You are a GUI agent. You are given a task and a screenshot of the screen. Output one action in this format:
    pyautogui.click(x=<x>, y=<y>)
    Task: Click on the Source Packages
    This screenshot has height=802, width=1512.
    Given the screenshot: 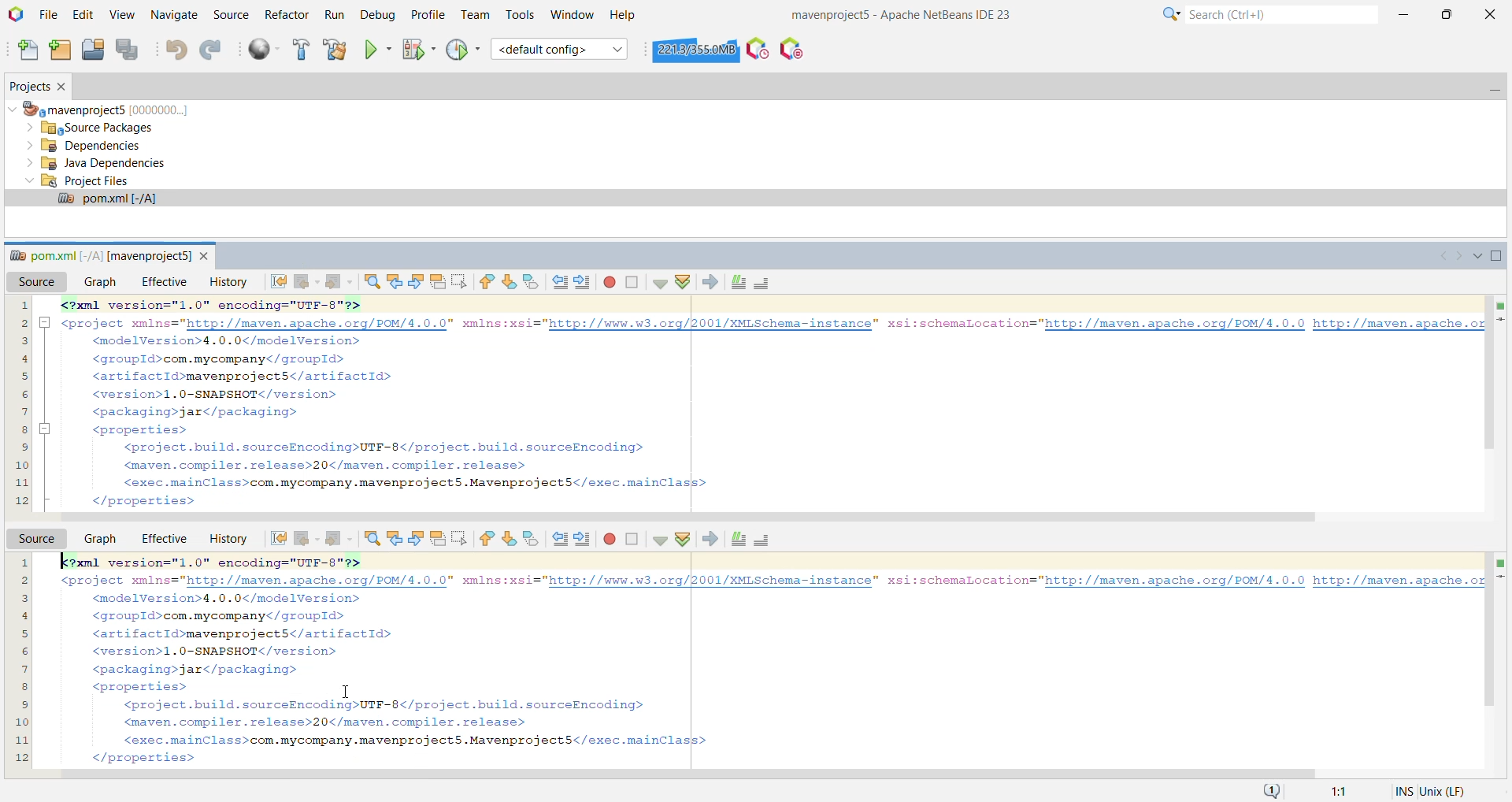 What is the action you would take?
    pyautogui.click(x=98, y=128)
    